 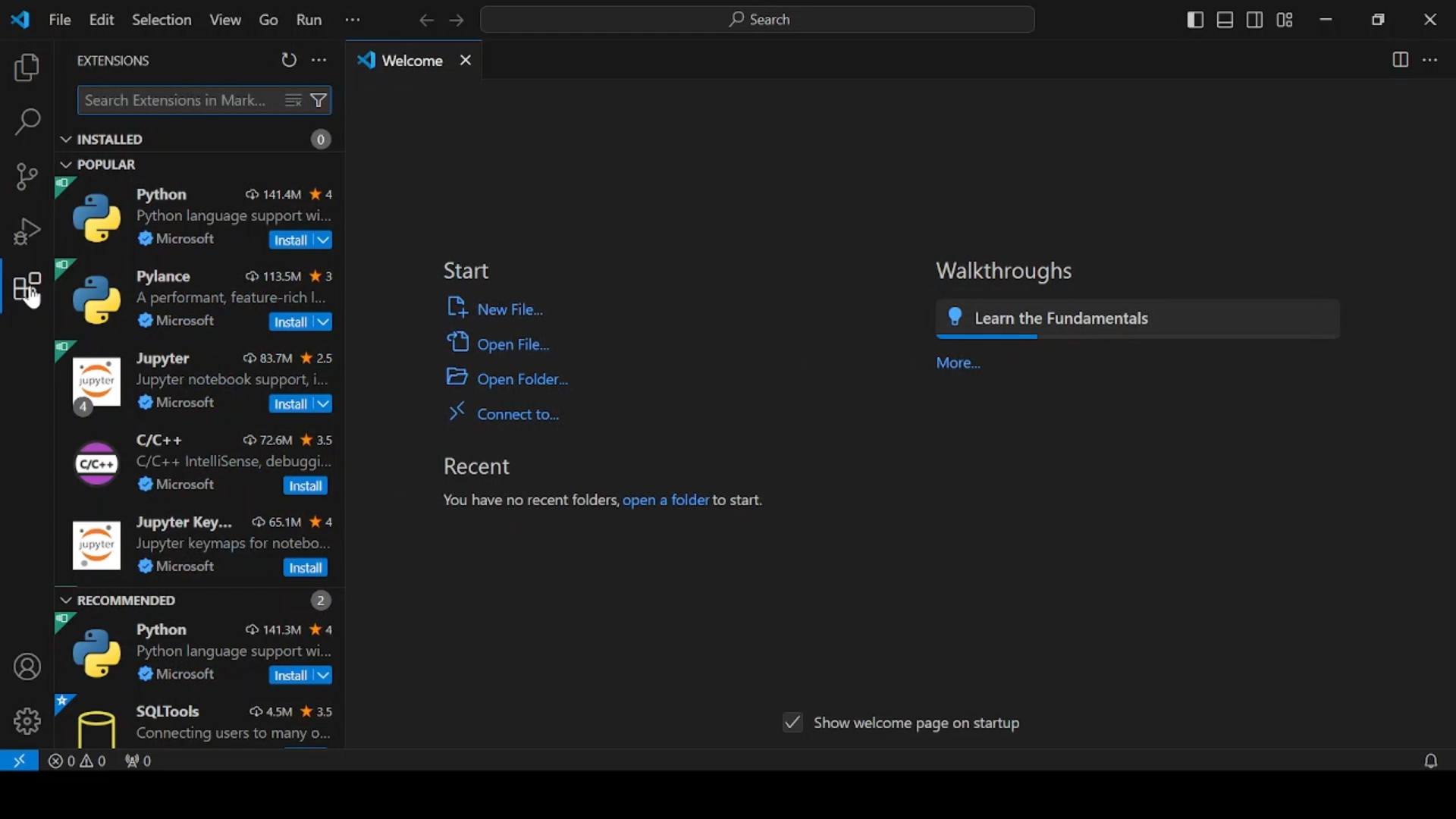 I want to click on welcome tab, so click(x=416, y=62).